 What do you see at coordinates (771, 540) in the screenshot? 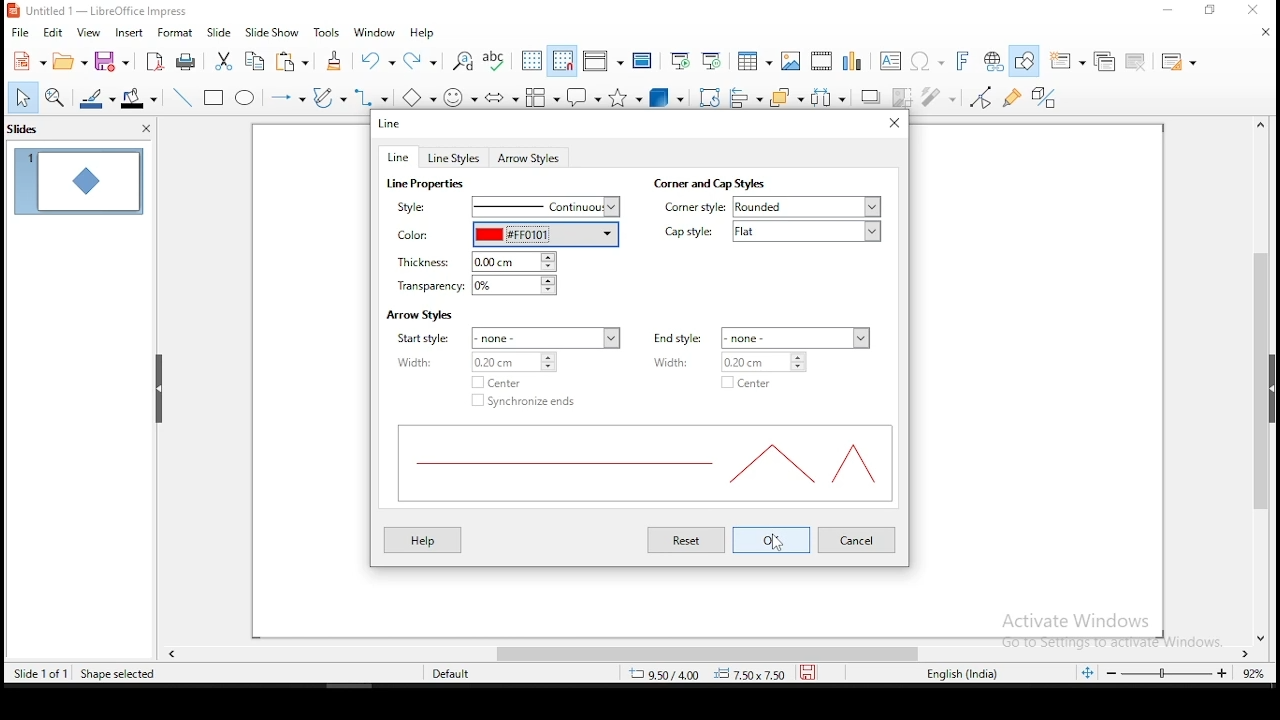
I see `ok` at bounding box center [771, 540].